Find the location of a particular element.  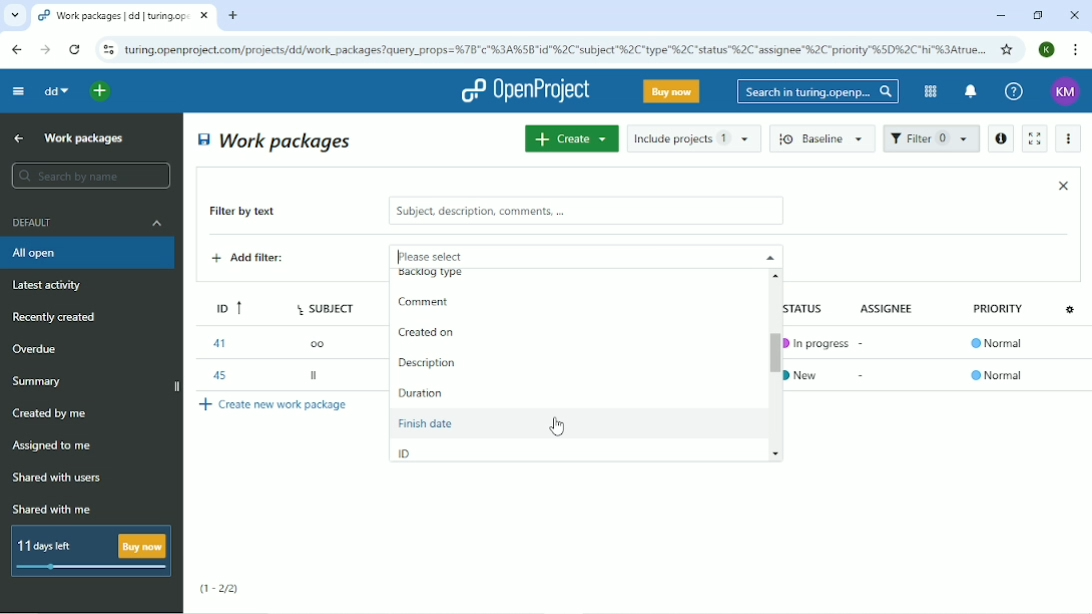

Backlog type is located at coordinates (441, 277).